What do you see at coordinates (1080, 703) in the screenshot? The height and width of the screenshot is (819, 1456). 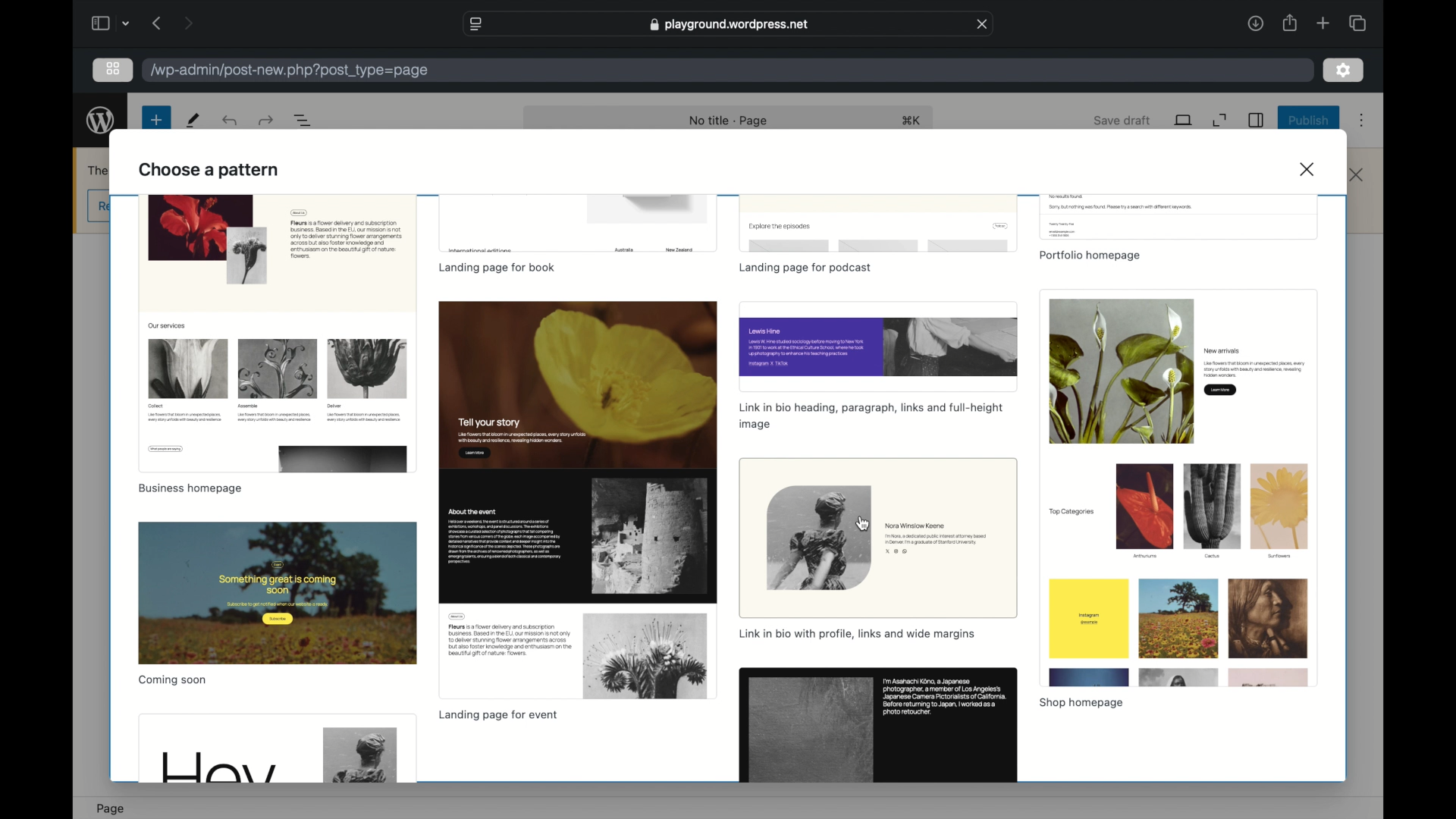 I see `shop homepage` at bounding box center [1080, 703].